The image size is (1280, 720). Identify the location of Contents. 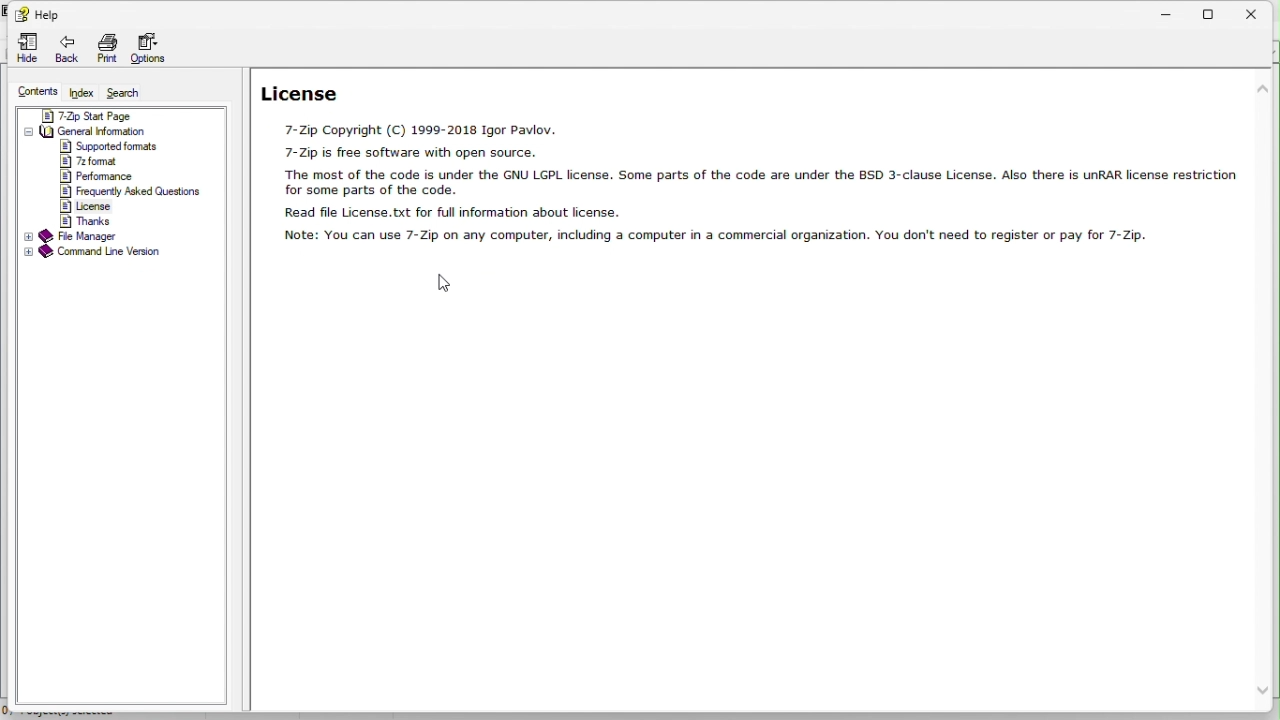
(38, 92).